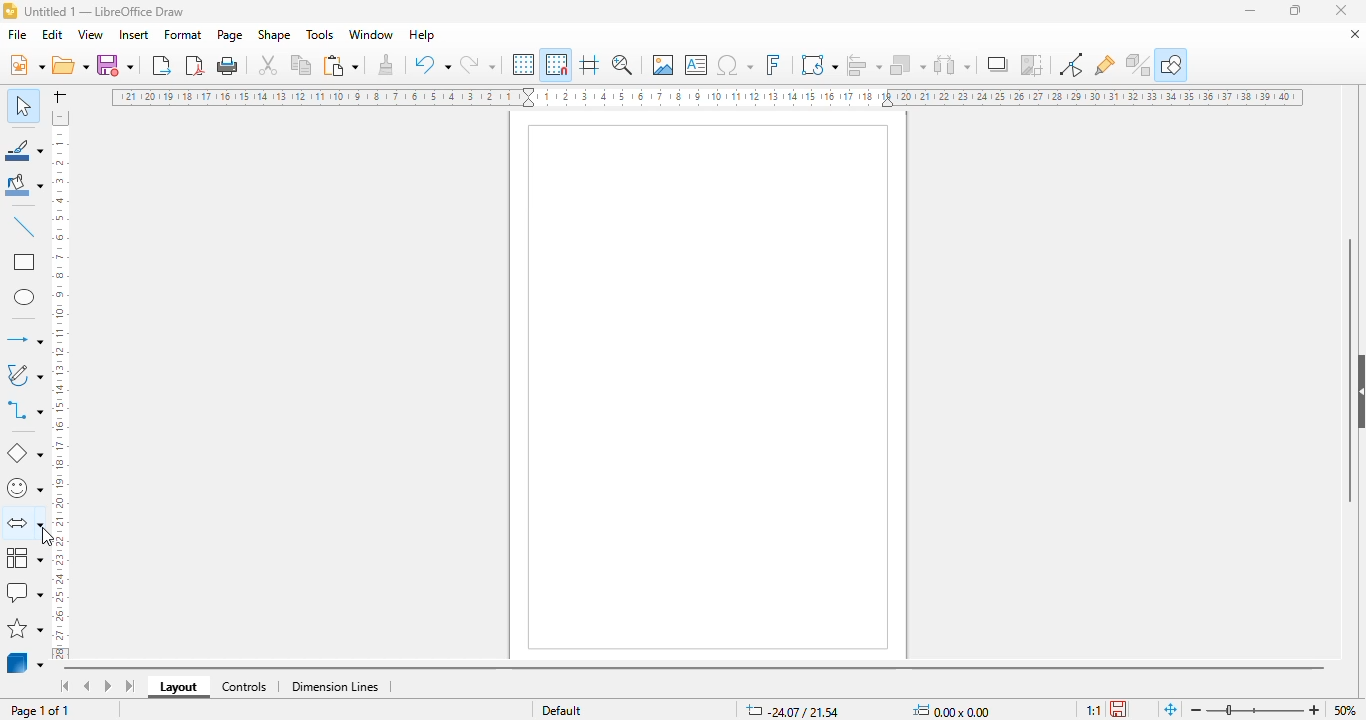 Image resolution: width=1366 pixels, height=720 pixels. What do you see at coordinates (301, 65) in the screenshot?
I see `copy` at bounding box center [301, 65].